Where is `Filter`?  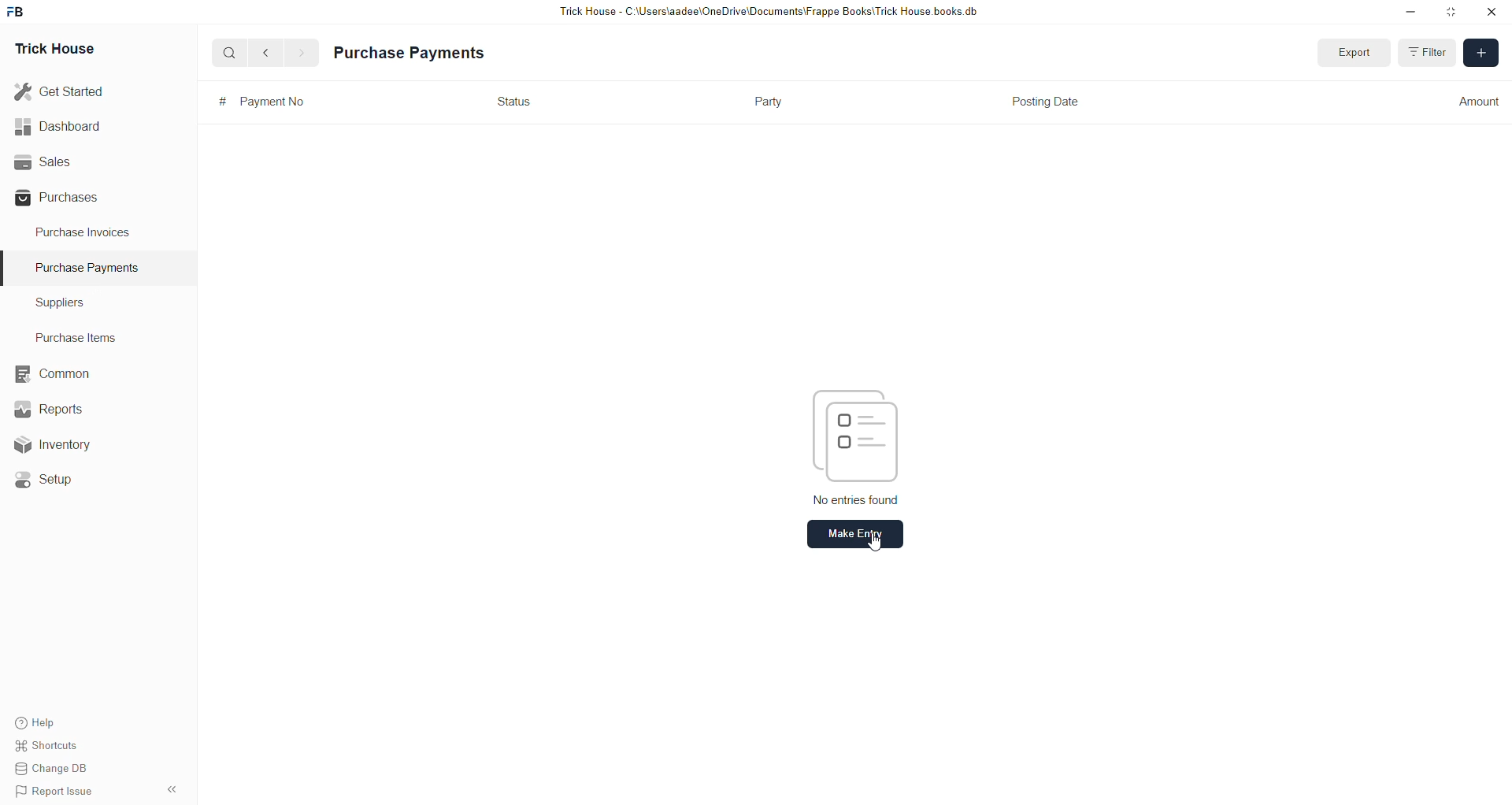
Filter is located at coordinates (1426, 52).